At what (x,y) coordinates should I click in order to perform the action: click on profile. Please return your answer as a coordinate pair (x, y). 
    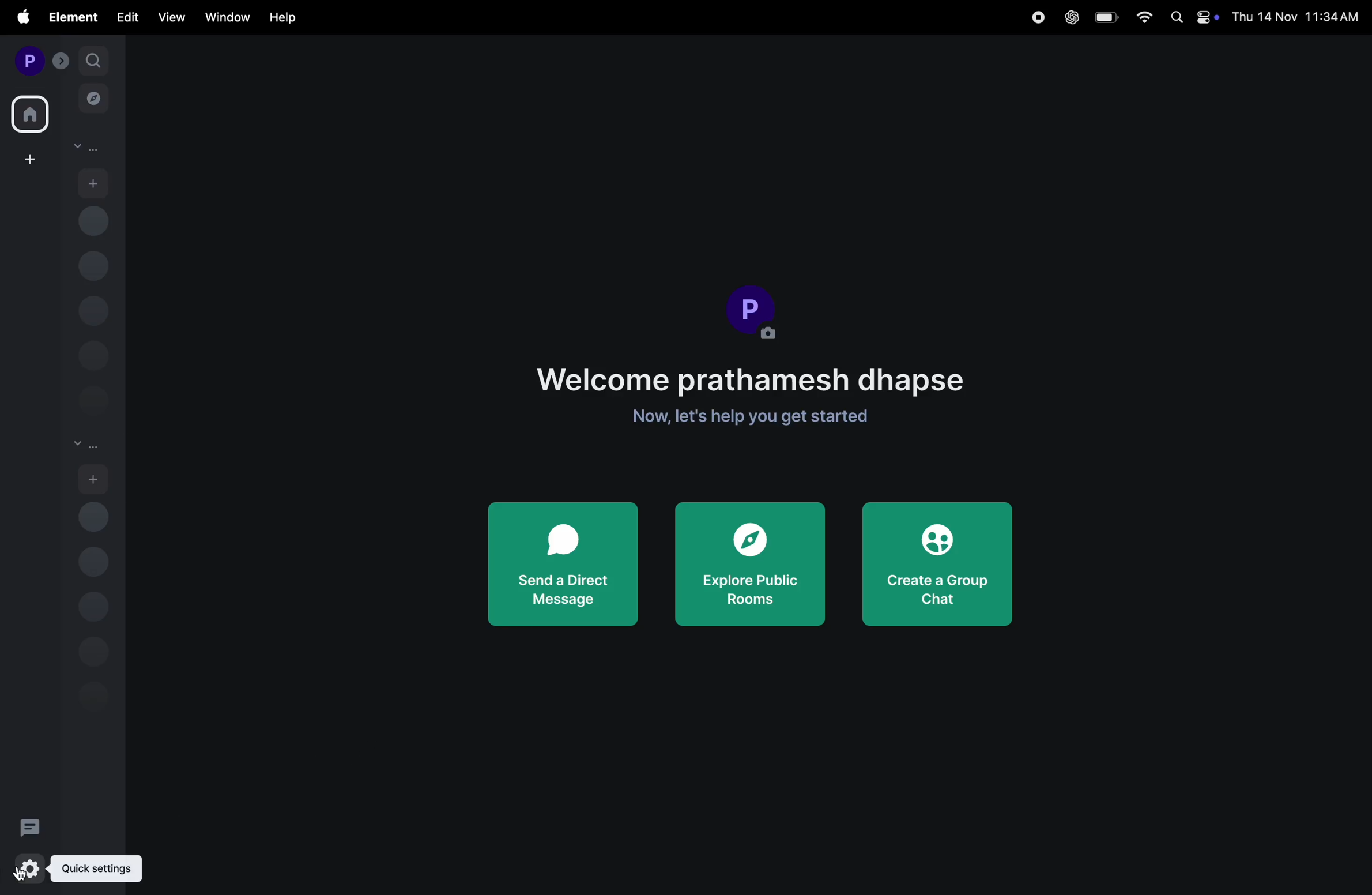
    Looking at the image, I should click on (754, 313).